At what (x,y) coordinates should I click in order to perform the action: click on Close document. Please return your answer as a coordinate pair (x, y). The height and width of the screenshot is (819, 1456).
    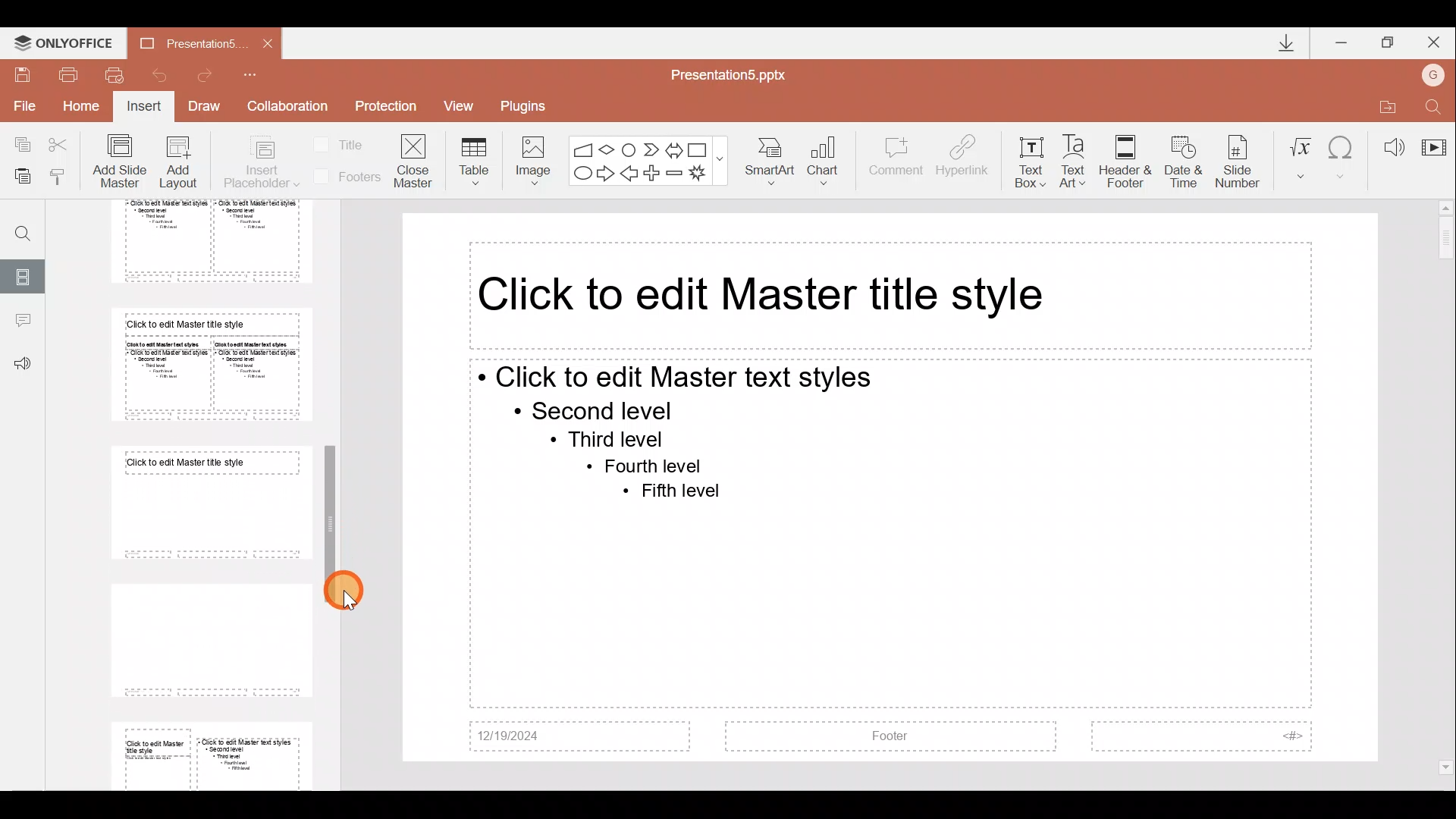
    Looking at the image, I should click on (263, 42).